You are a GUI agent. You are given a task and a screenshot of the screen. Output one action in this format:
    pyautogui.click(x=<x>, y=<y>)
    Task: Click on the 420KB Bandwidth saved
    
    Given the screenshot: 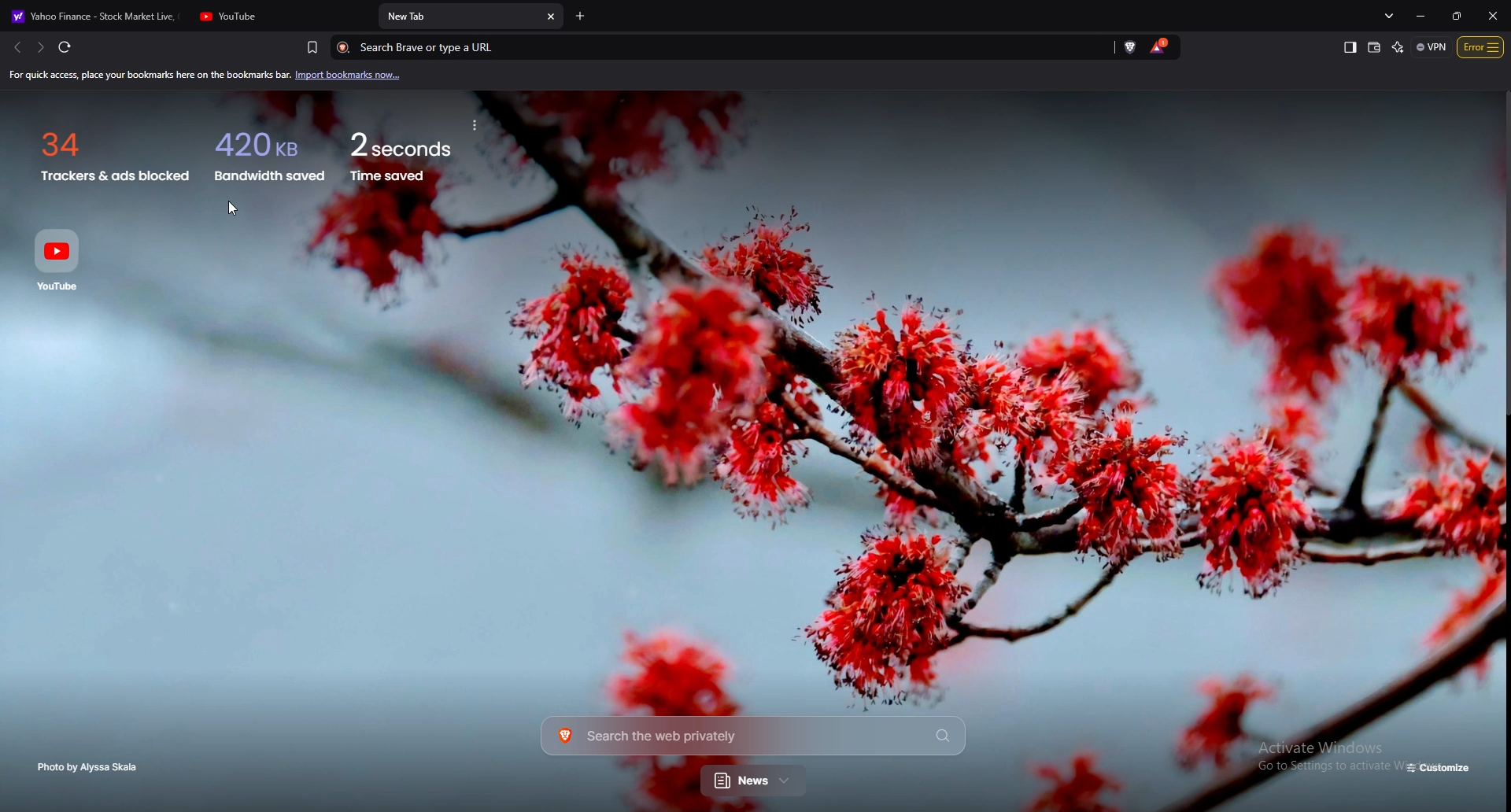 What is the action you would take?
    pyautogui.click(x=267, y=152)
    